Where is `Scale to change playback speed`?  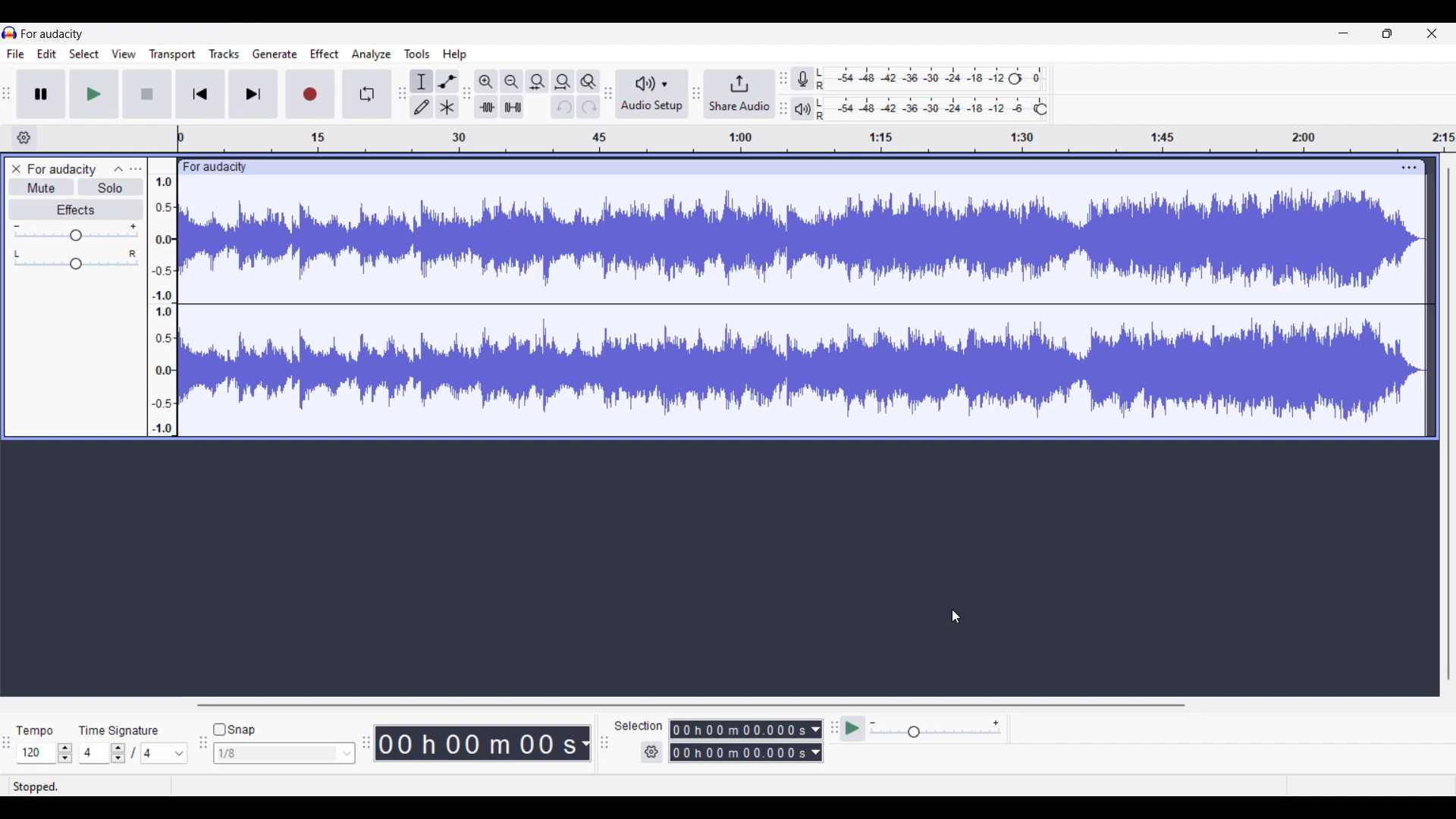
Scale to change playback speed is located at coordinates (936, 729).